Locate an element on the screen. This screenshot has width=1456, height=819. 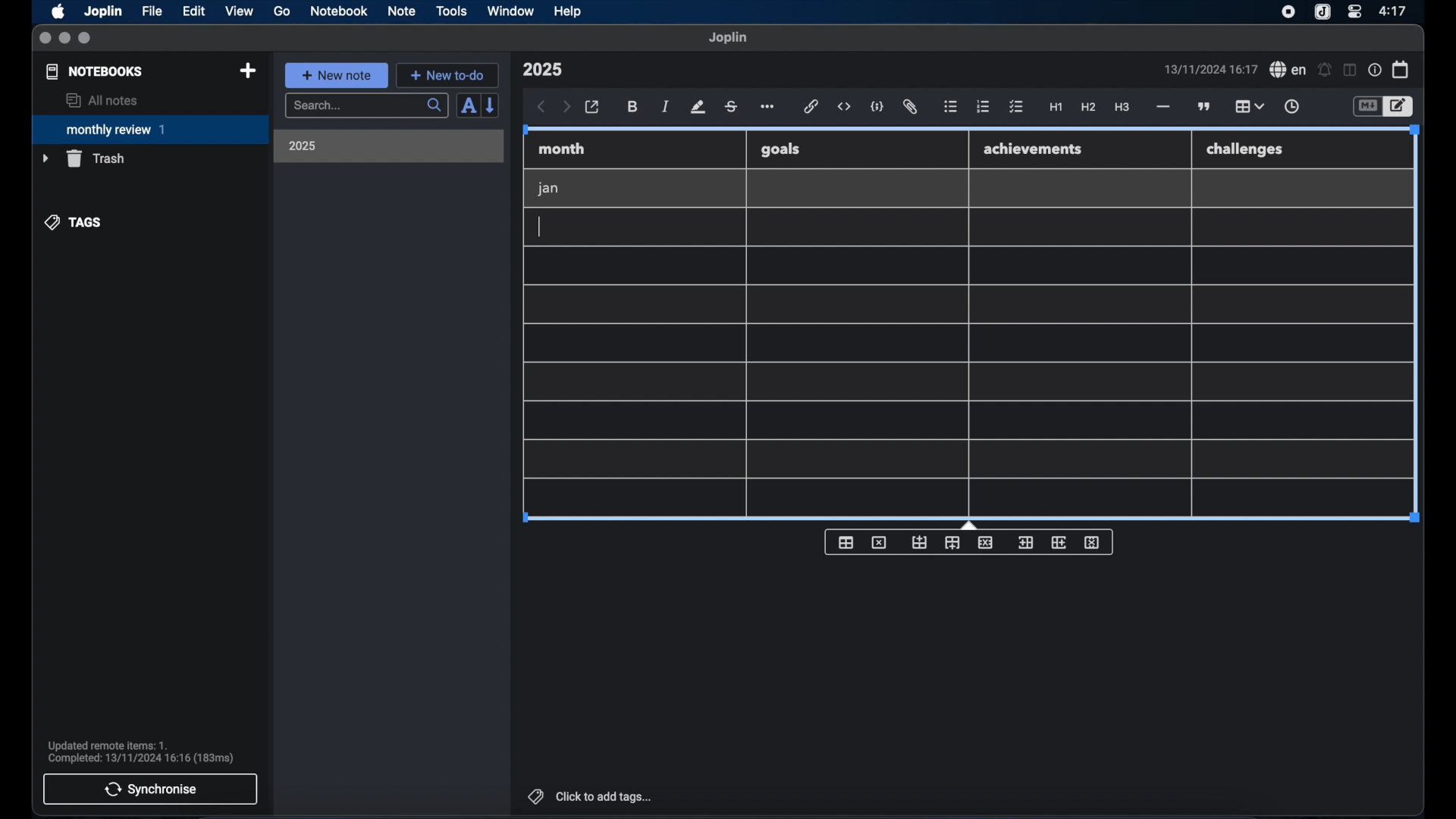
minimize is located at coordinates (64, 39).